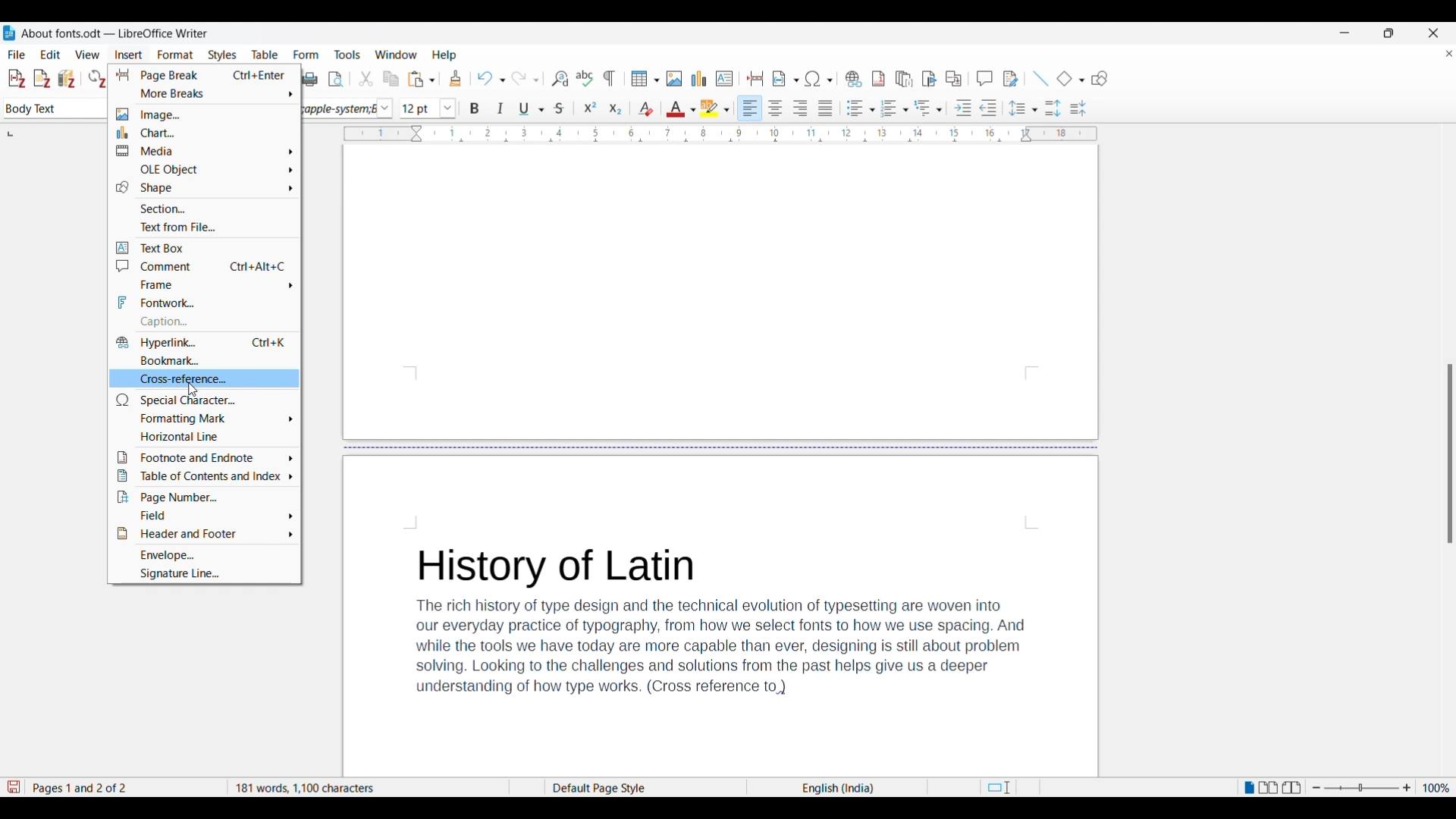 The width and height of the screenshot is (1456, 819). Describe the element at coordinates (861, 108) in the screenshot. I see `Toggle unordered list` at that location.